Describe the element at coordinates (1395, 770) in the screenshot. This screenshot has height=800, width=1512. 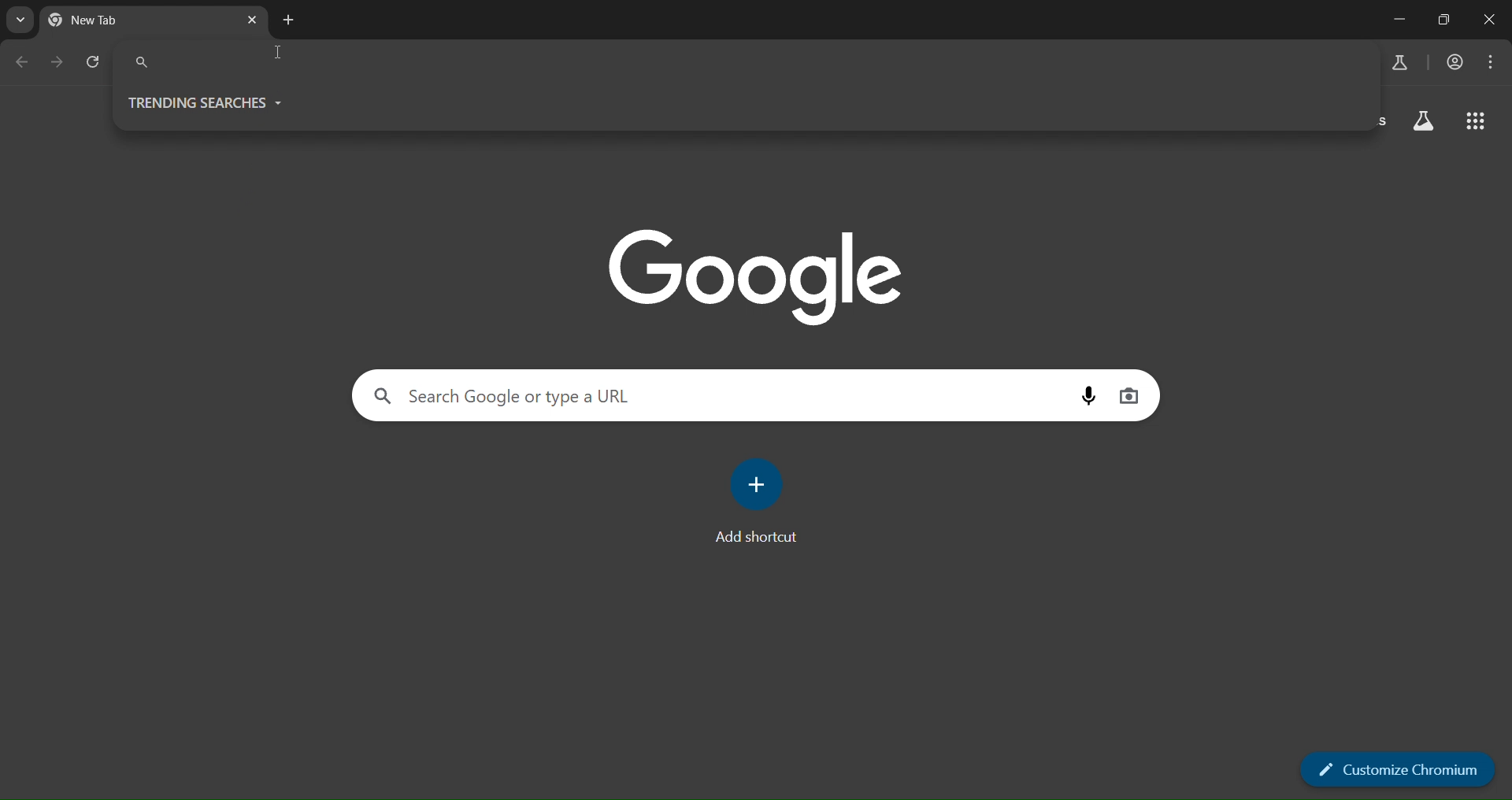
I see `customize chromium` at that location.